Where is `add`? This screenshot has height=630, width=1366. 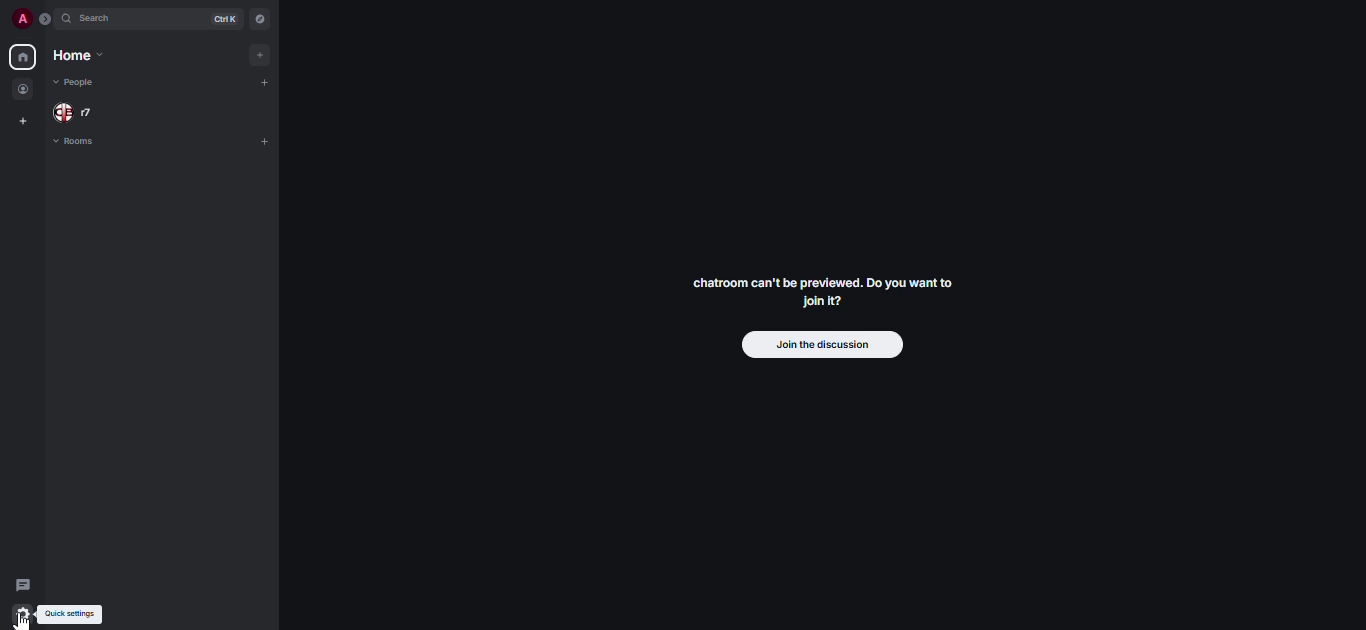
add is located at coordinates (260, 53).